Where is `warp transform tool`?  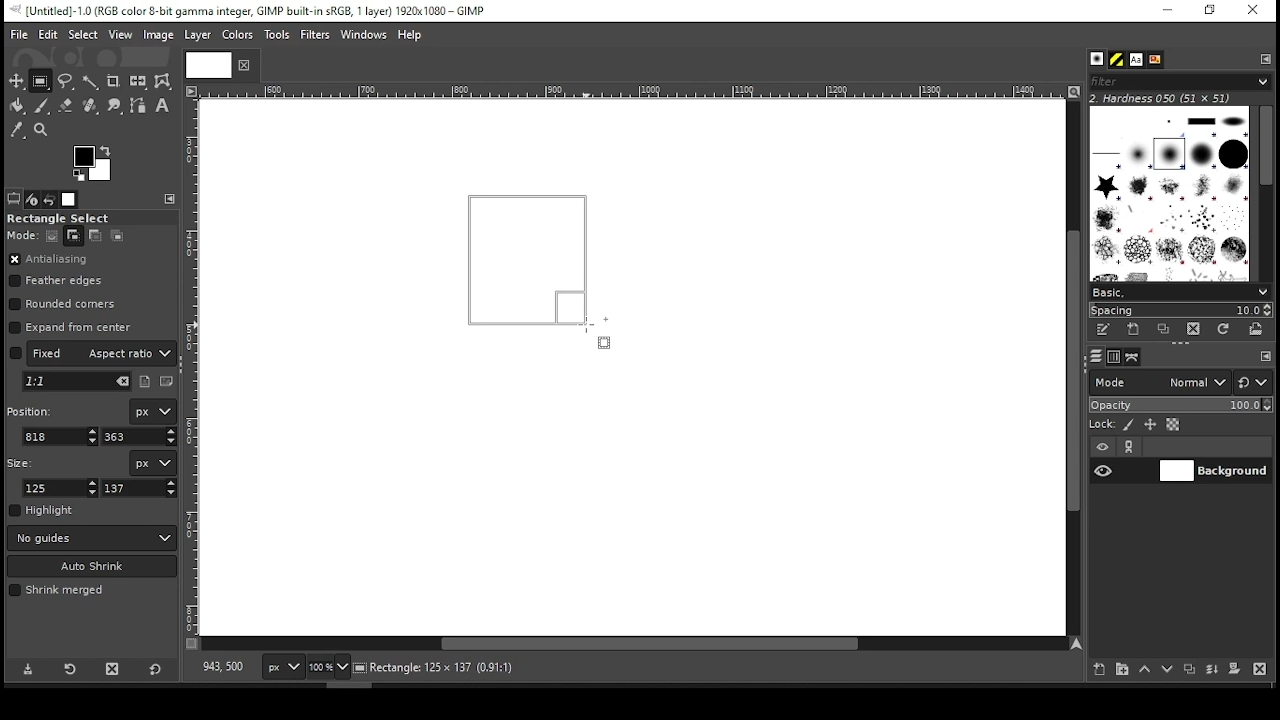 warp transform tool is located at coordinates (162, 82).